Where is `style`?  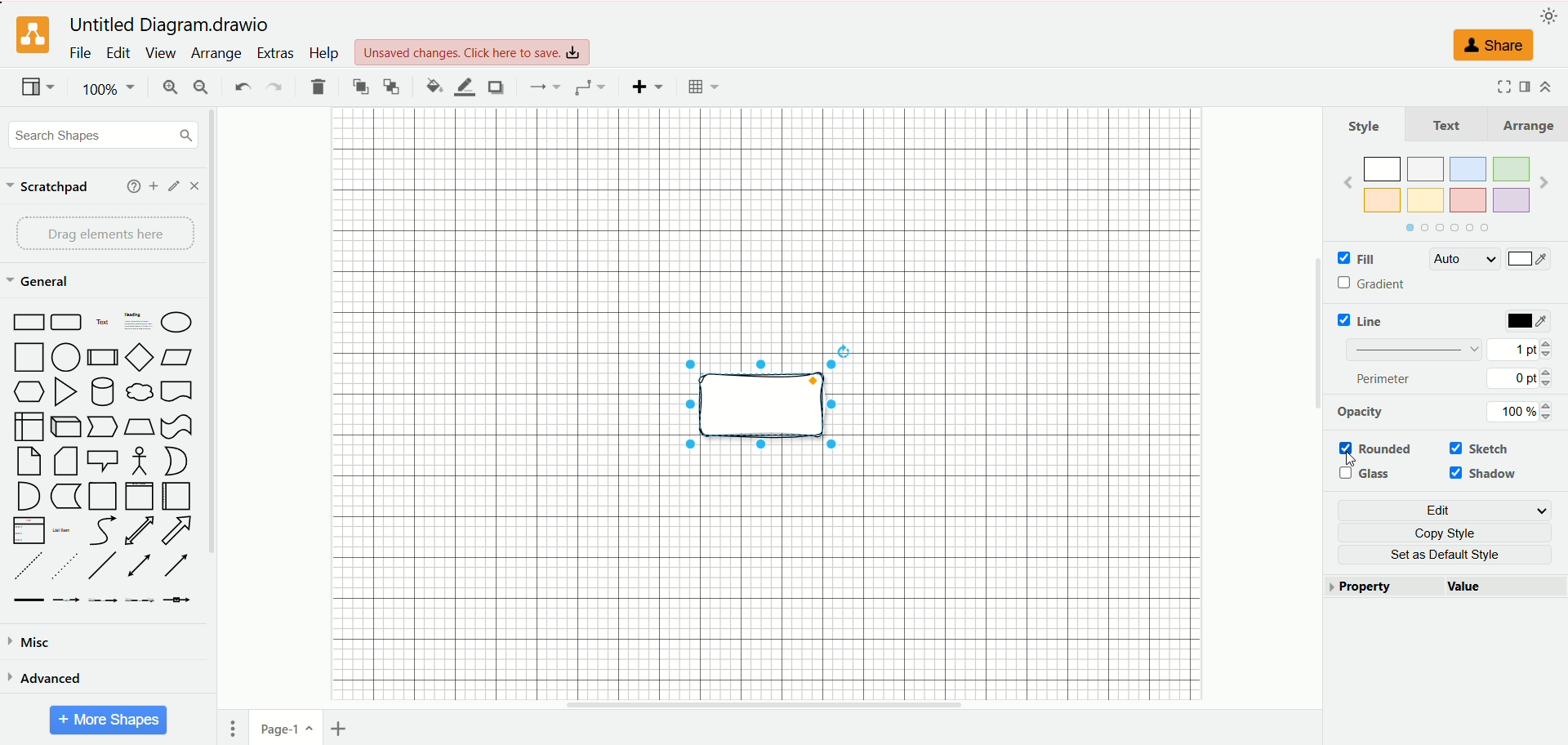
style is located at coordinates (1365, 126).